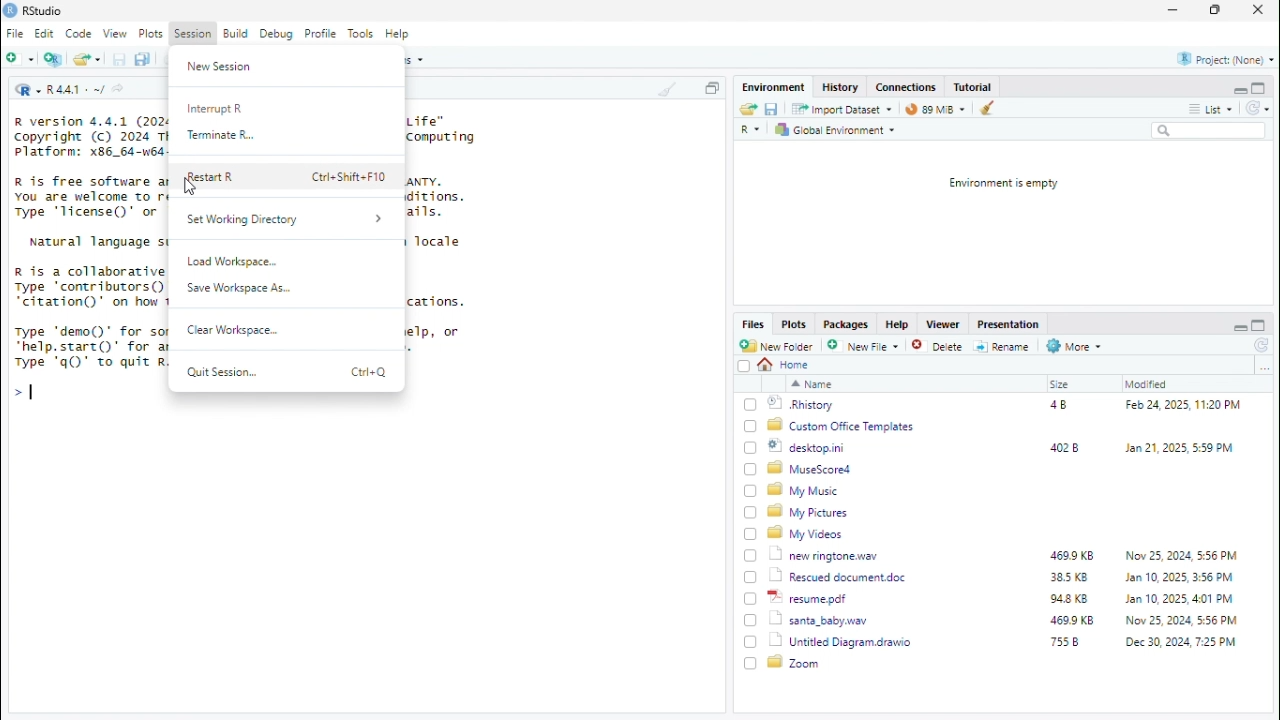 The height and width of the screenshot is (720, 1280). I want to click on Arrow , so click(17, 391).